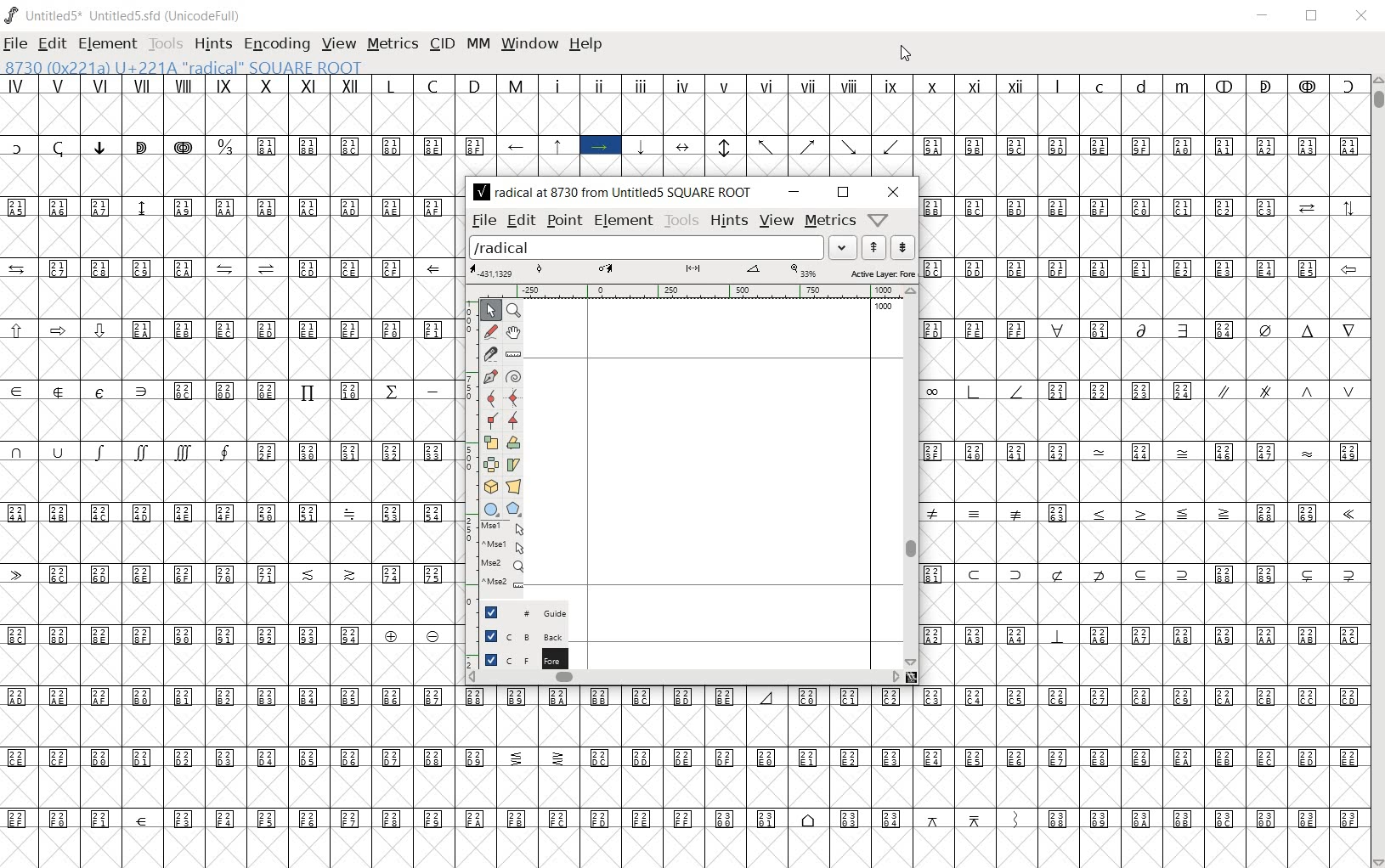  Describe the element at coordinates (520, 221) in the screenshot. I see `edit` at that location.